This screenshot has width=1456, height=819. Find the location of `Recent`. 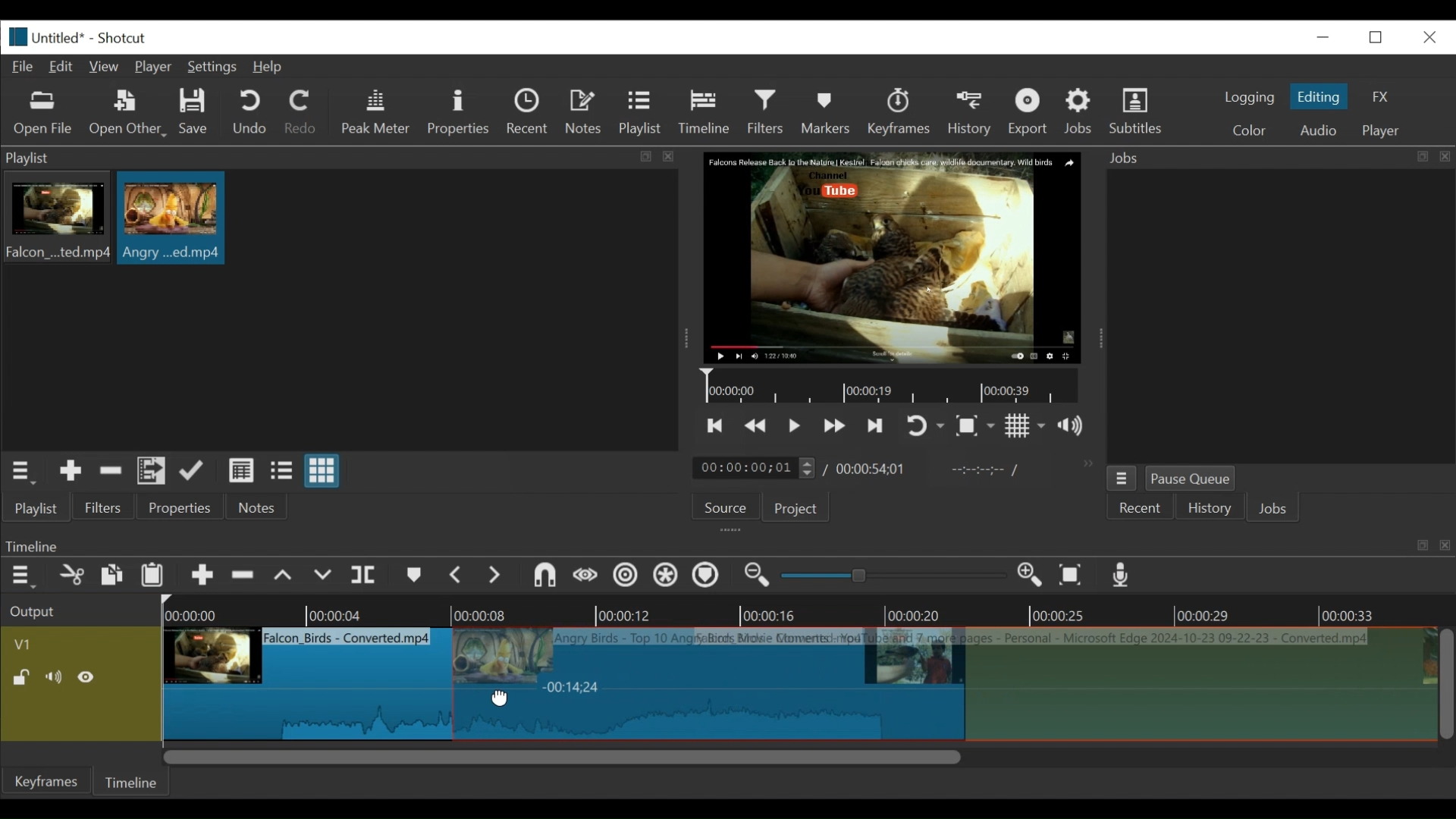

Recent is located at coordinates (1141, 509).